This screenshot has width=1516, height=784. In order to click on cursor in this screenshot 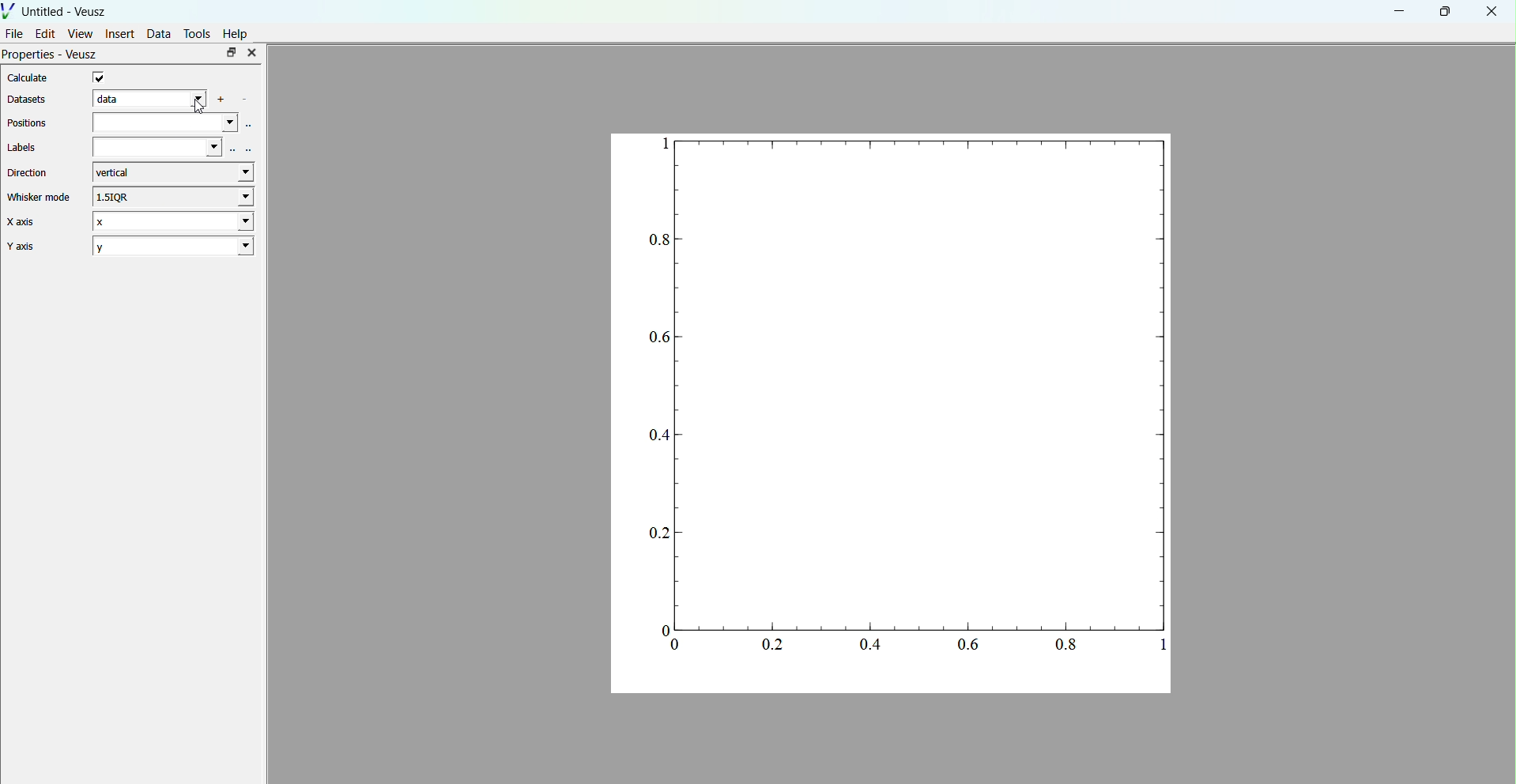, I will do `click(199, 104)`.